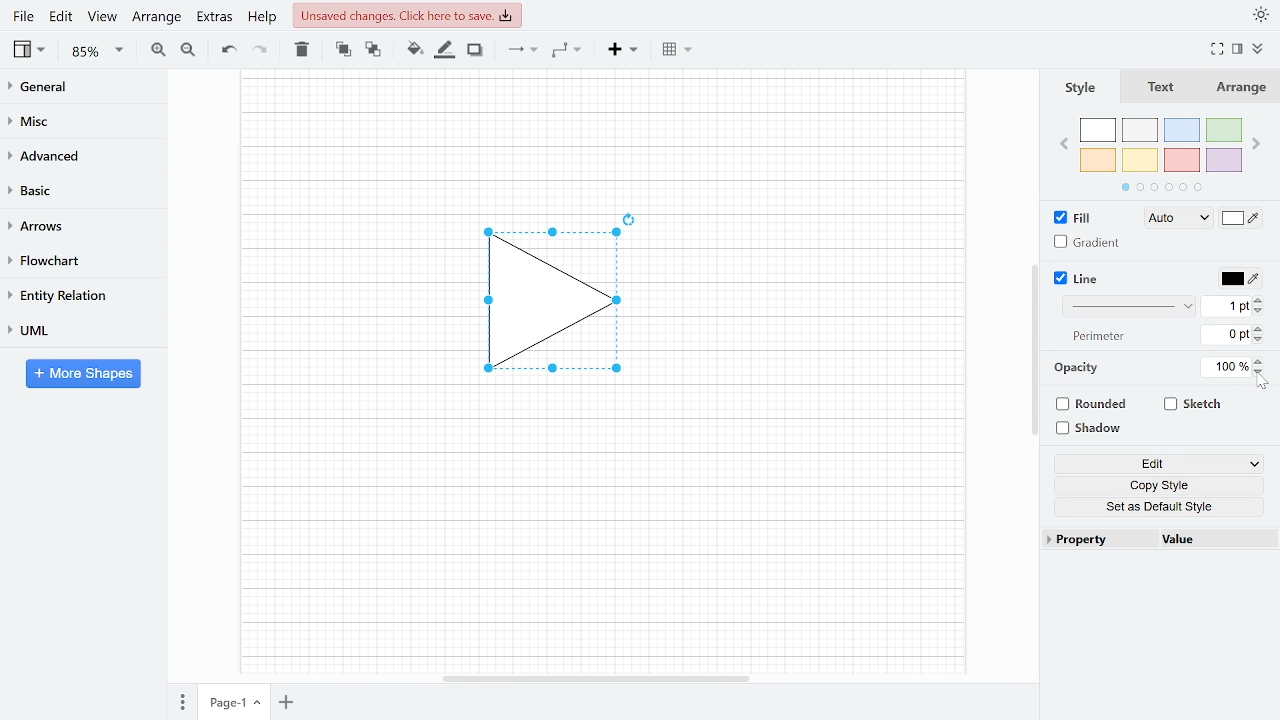 The height and width of the screenshot is (720, 1280). Describe the element at coordinates (679, 48) in the screenshot. I see `Table` at that location.